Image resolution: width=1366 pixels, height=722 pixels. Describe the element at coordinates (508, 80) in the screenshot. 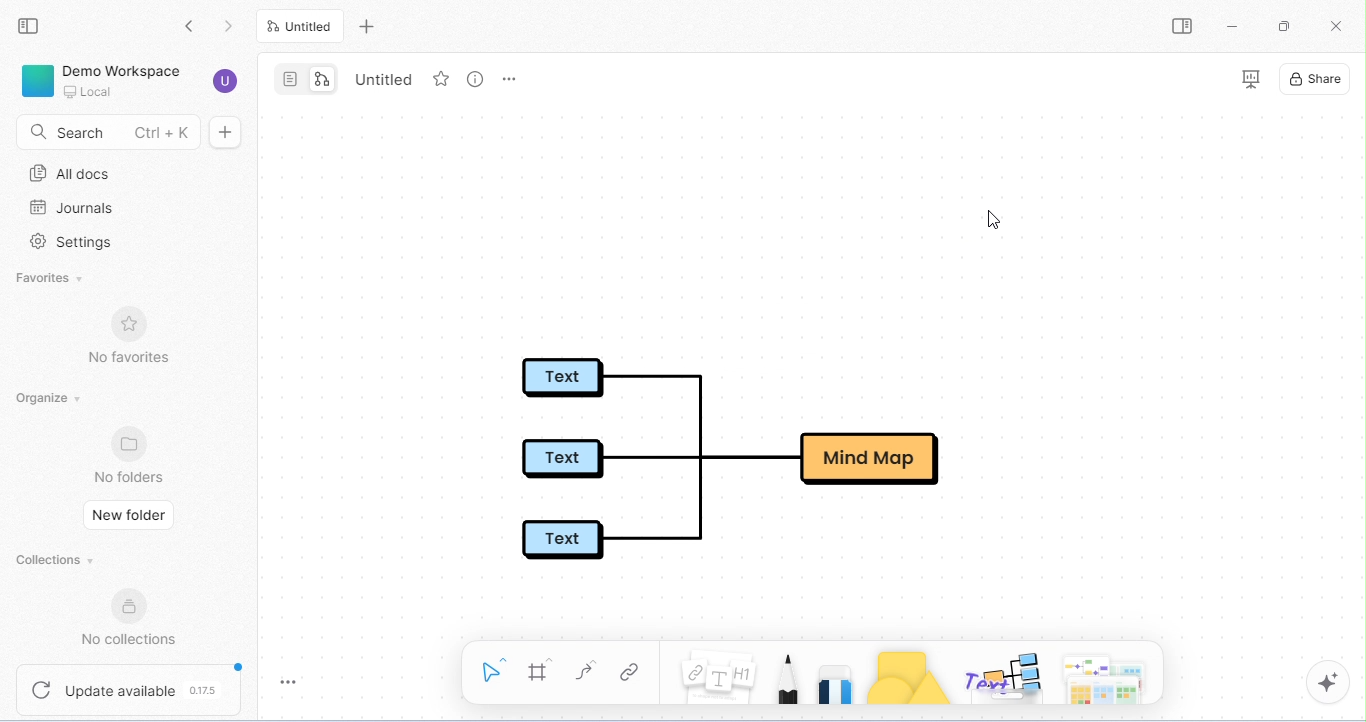

I see `tab options` at that location.